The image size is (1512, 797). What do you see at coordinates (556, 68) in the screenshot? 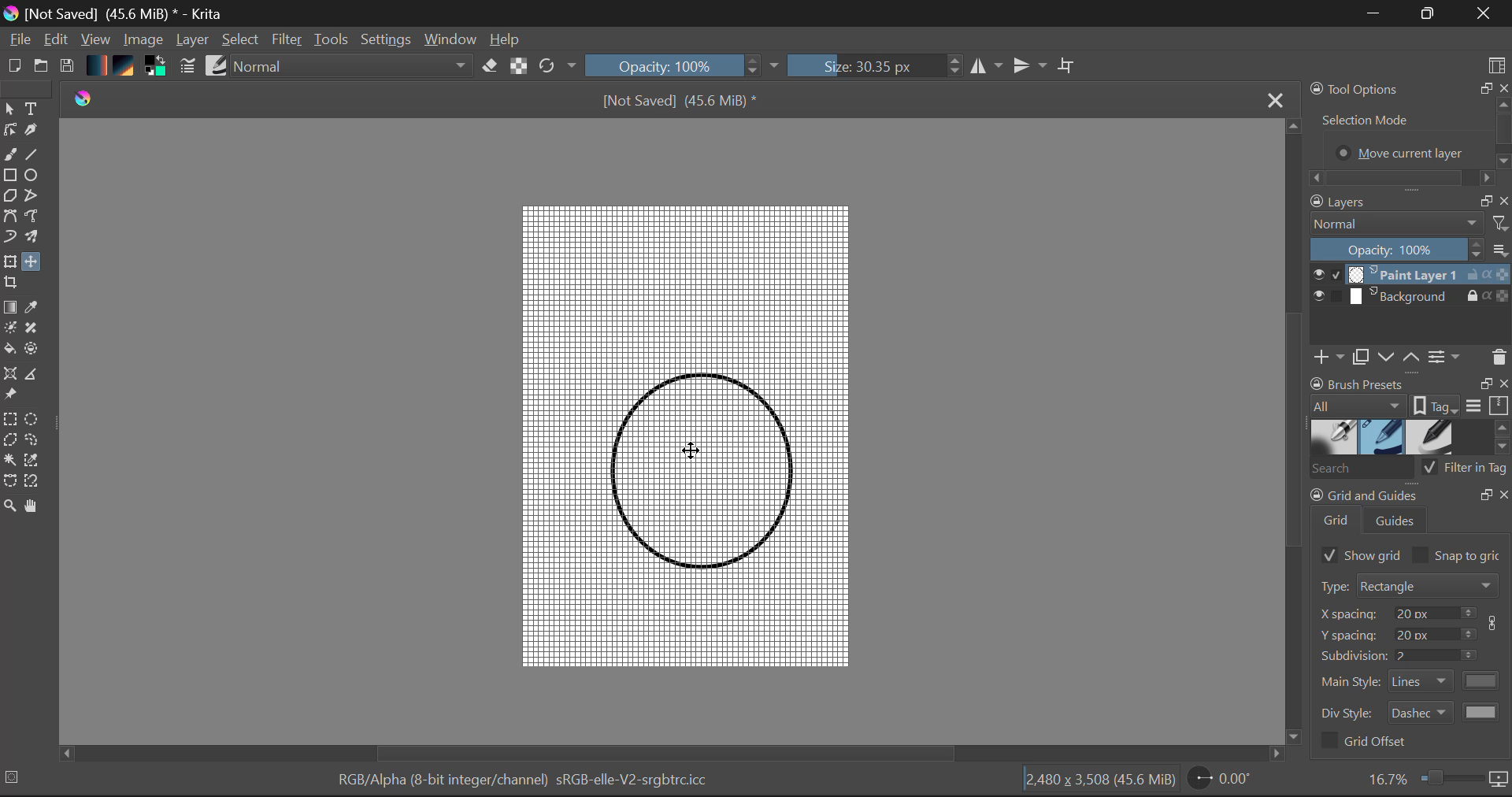
I see `Refresh` at bounding box center [556, 68].